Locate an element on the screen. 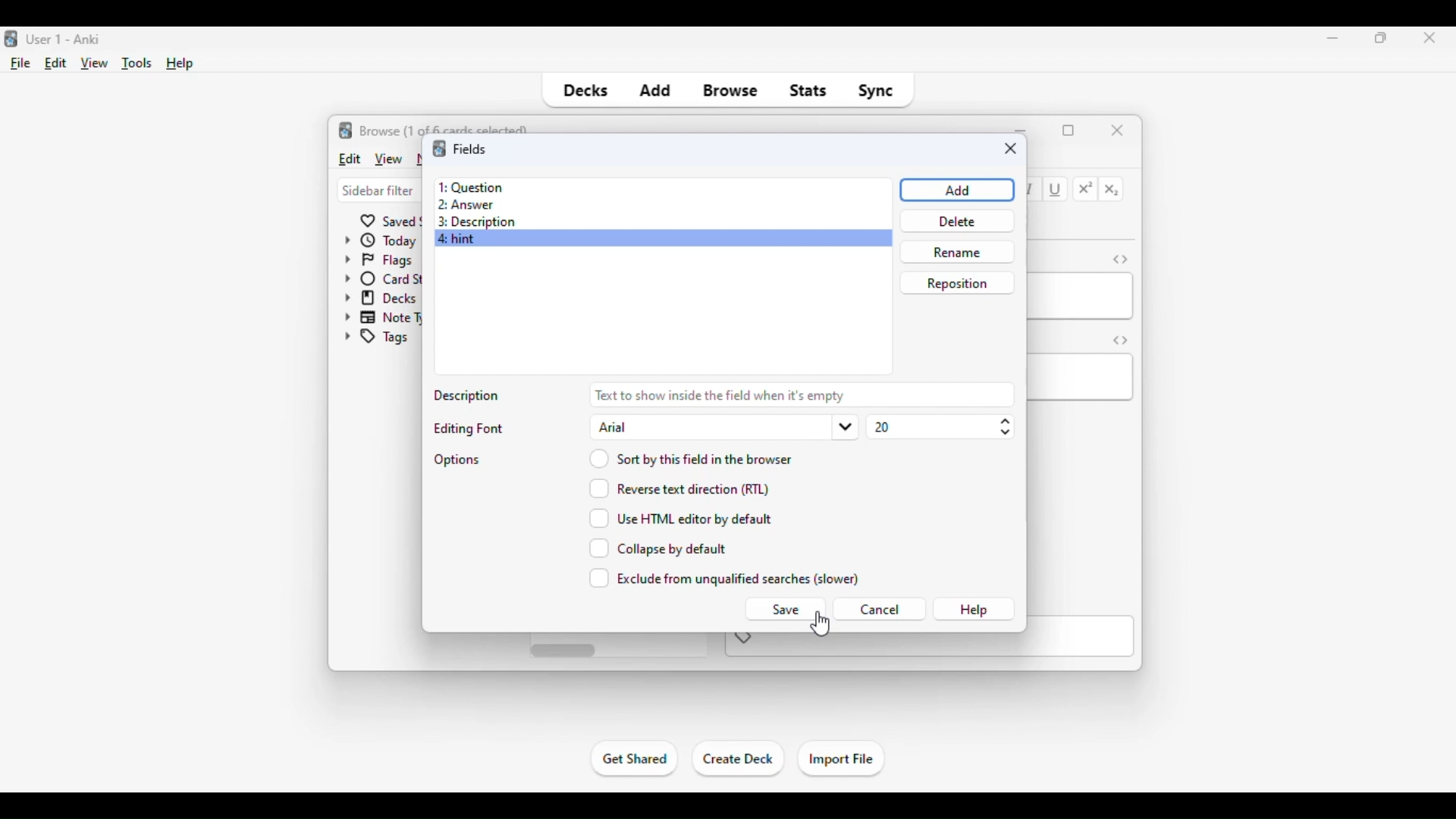 Image resolution: width=1456 pixels, height=819 pixels. minimize is located at coordinates (1333, 37).